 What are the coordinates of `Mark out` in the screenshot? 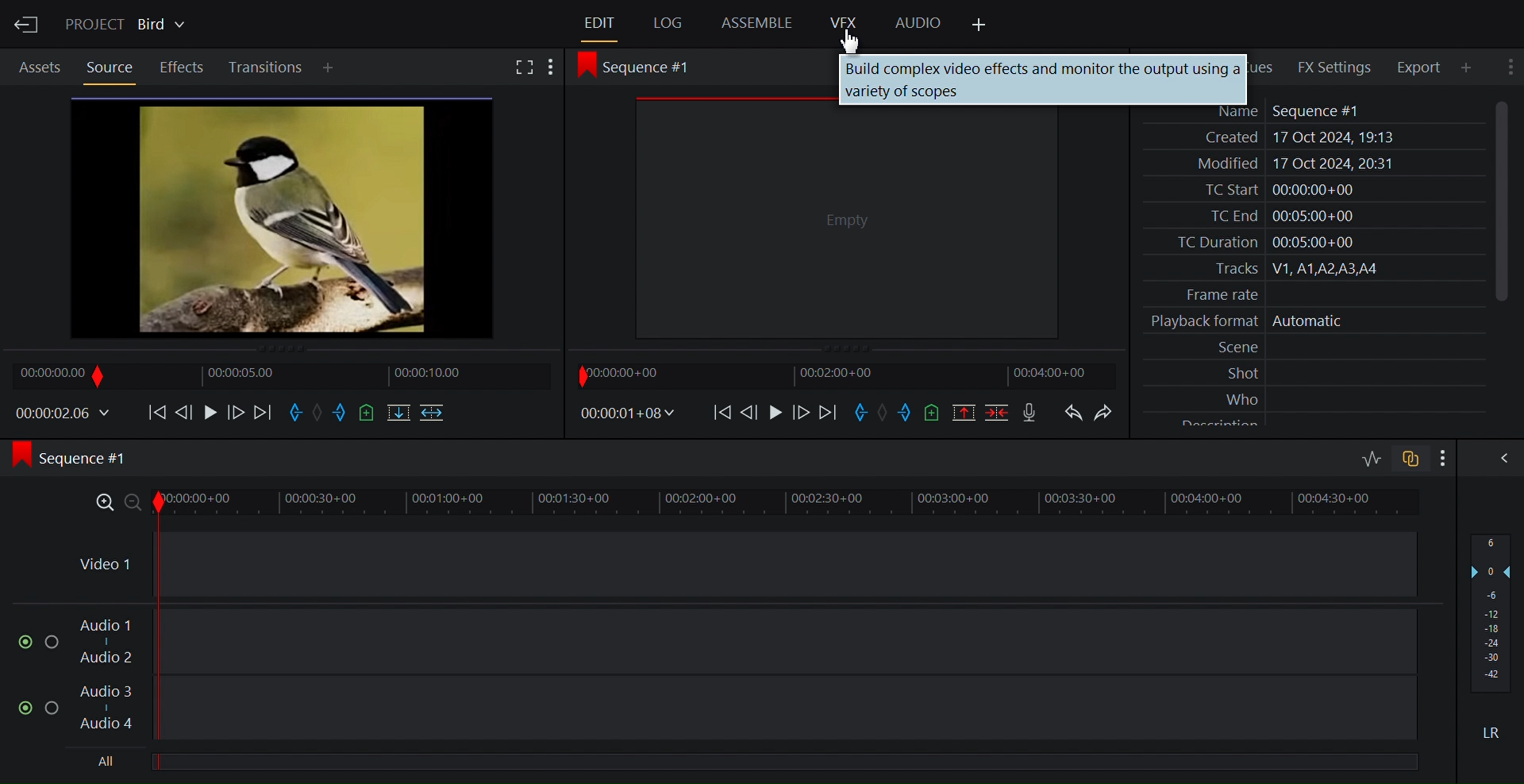 It's located at (906, 414).